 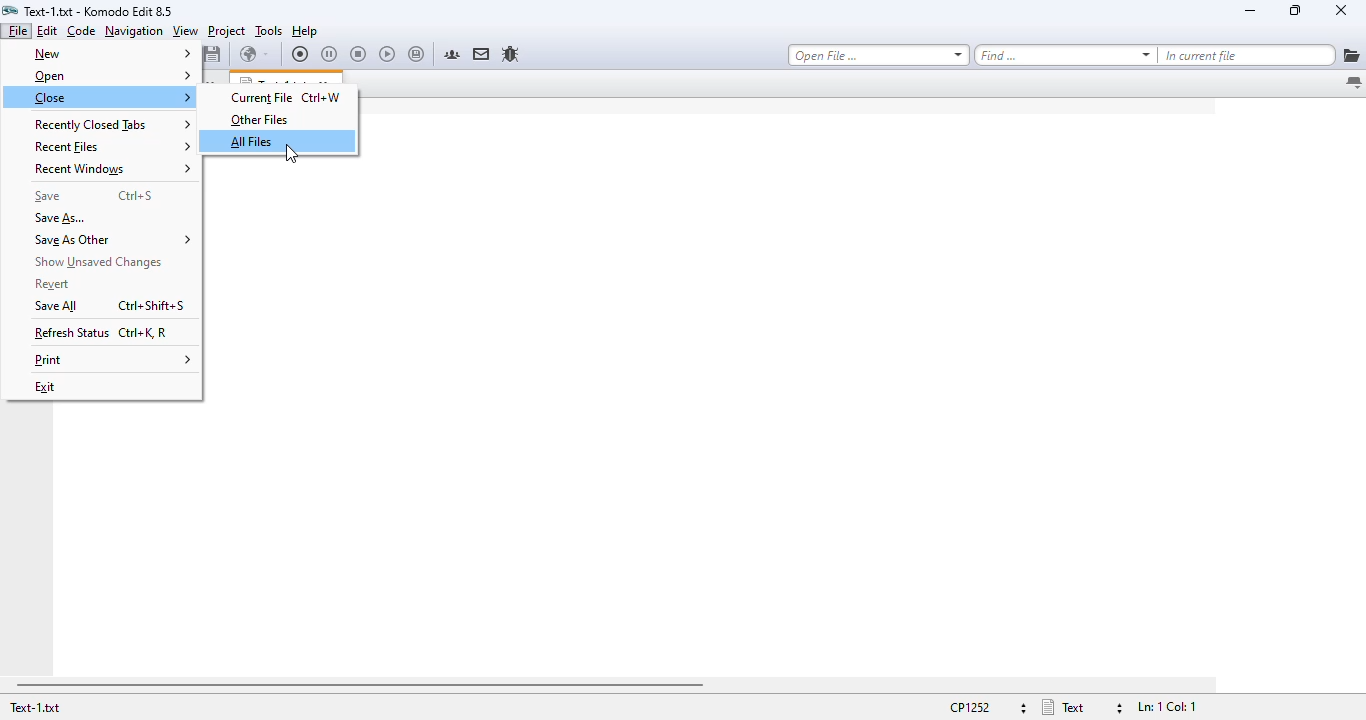 What do you see at coordinates (329, 55) in the screenshot?
I see `pause macro recording` at bounding box center [329, 55].